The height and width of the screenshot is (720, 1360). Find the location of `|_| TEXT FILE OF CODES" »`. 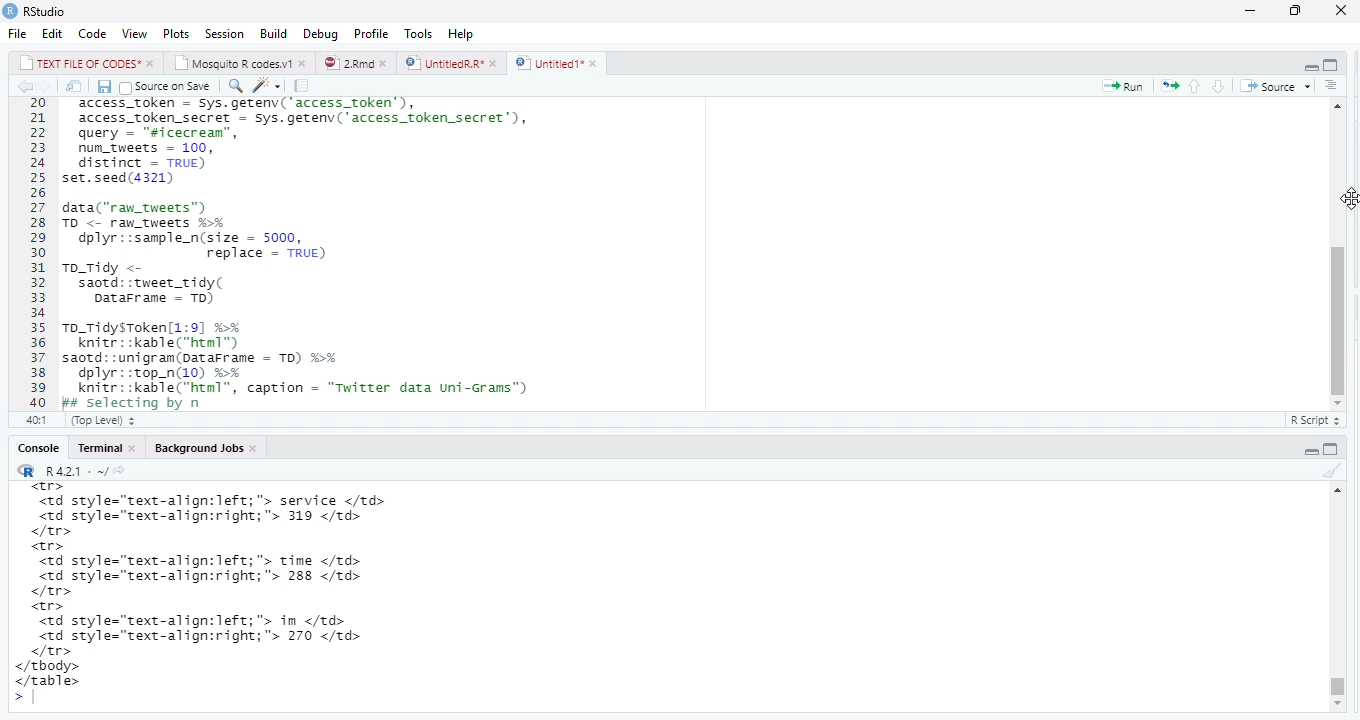

|_| TEXT FILE OF CODES" » is located at coordinates (76, 62).